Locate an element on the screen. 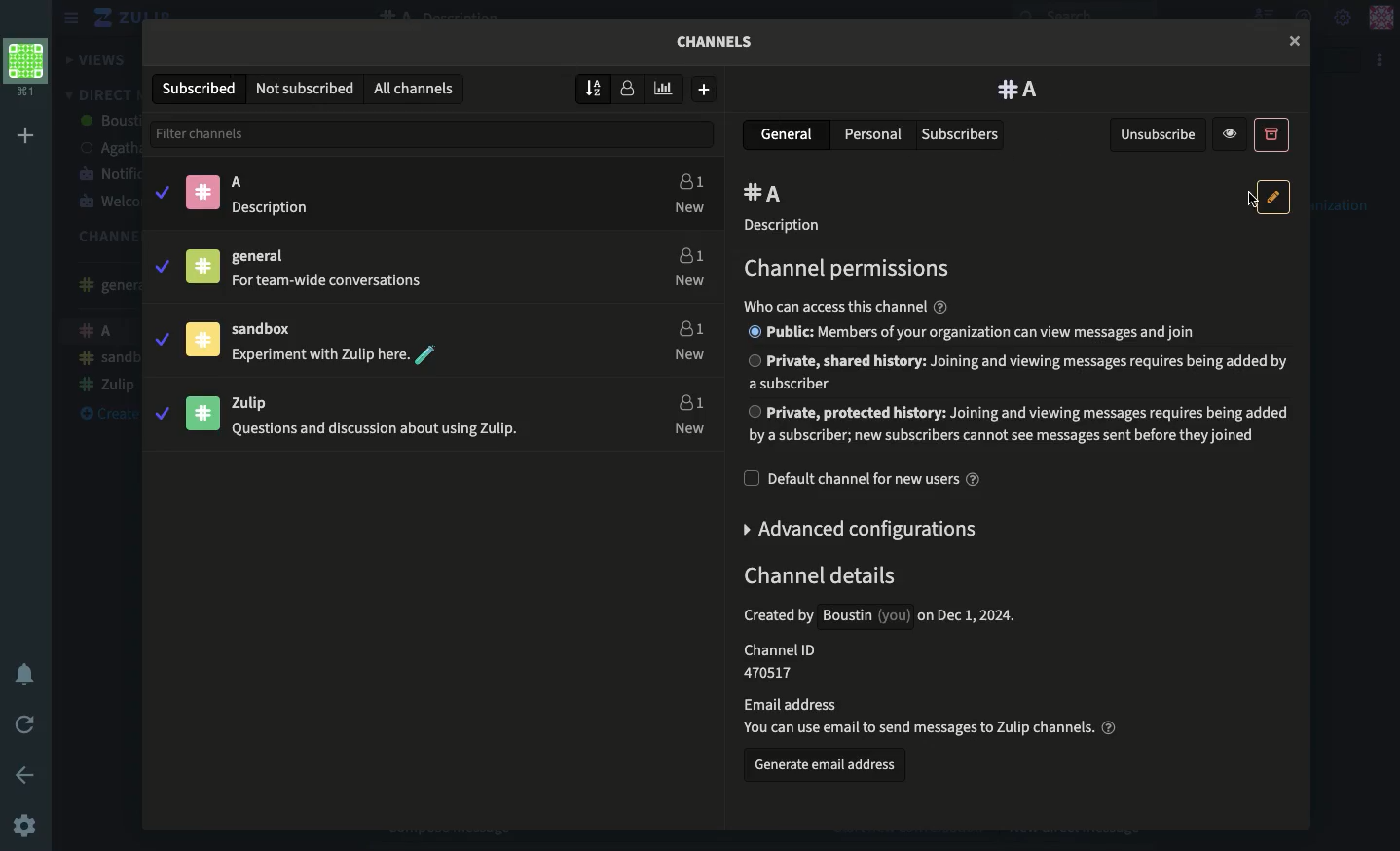 This screenshot has height=851, width=1400. help is located at coordinates (1109, 726).